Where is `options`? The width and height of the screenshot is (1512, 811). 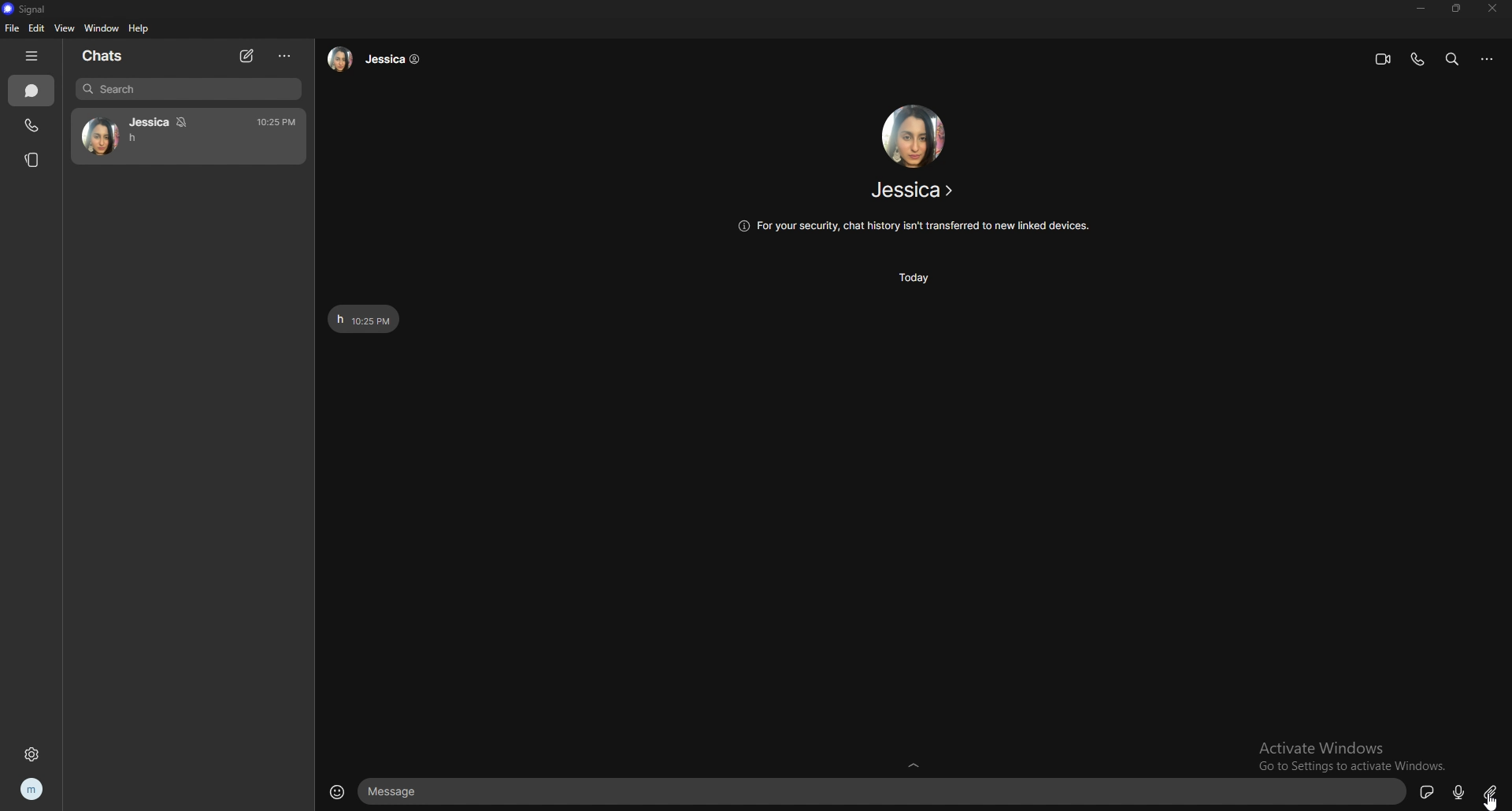 options is located at coordinates (1489, 59).